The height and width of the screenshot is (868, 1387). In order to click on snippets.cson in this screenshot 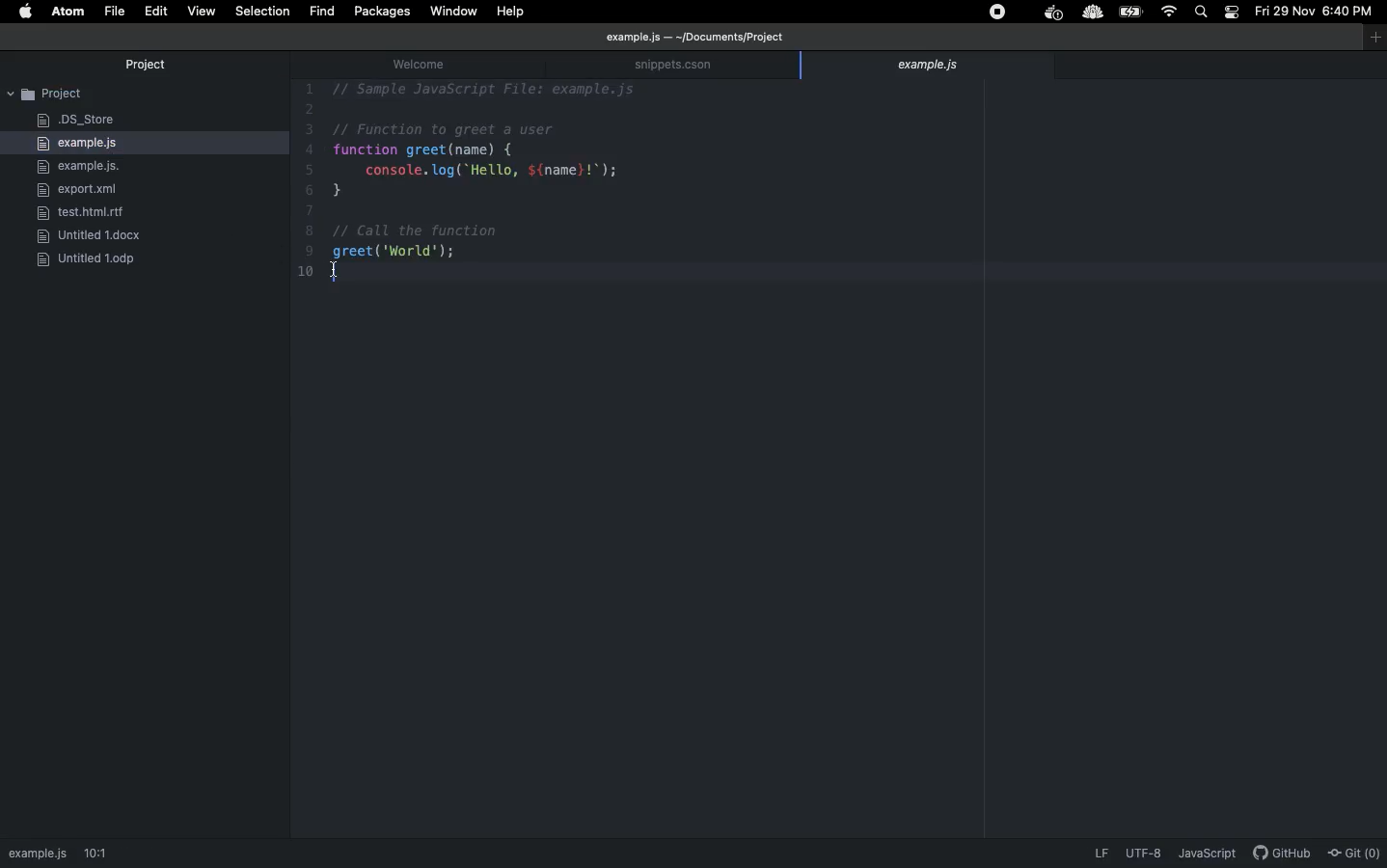, I will do `click(691, 66)`.